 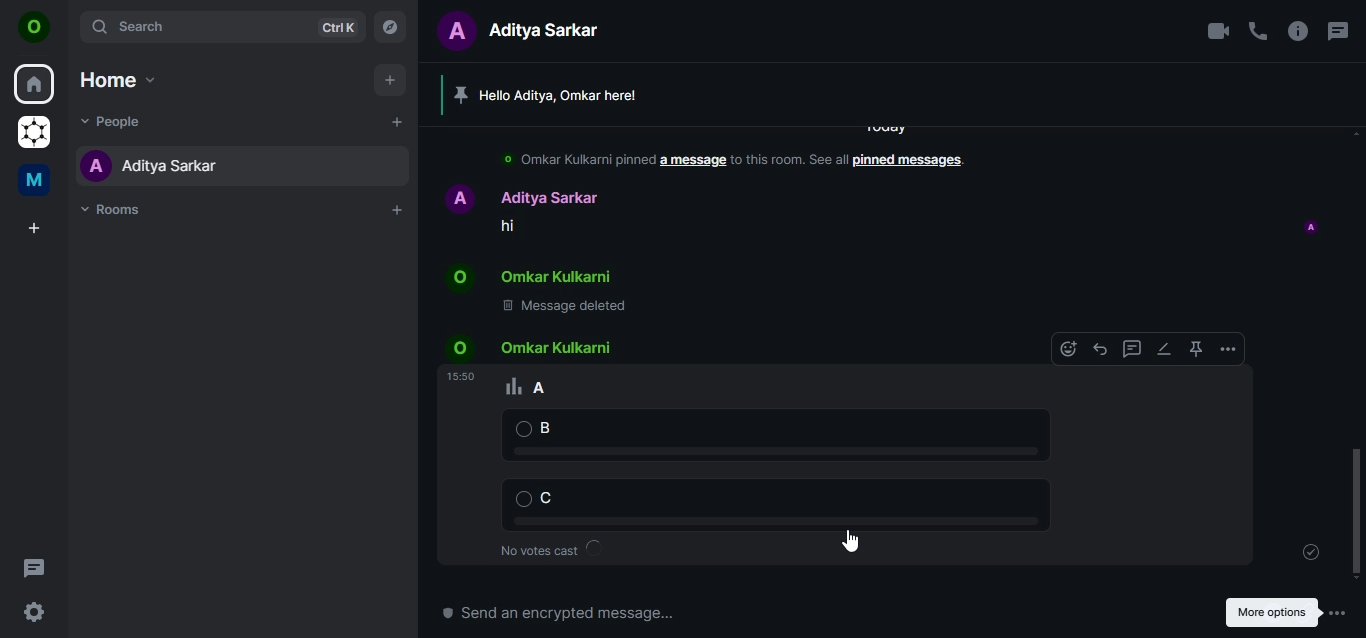 I want to click on threads, so click(x=1336, y=31).